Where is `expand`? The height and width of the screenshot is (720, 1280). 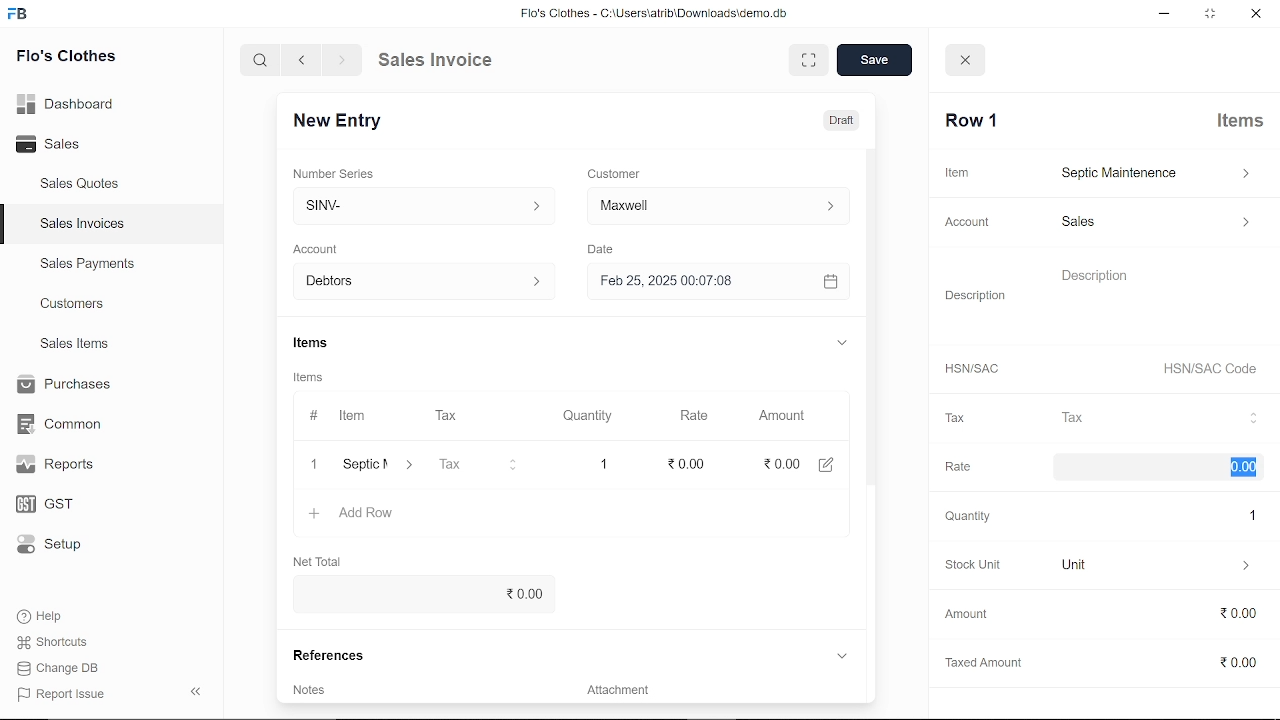 expand is located at coordinates (805, 59).